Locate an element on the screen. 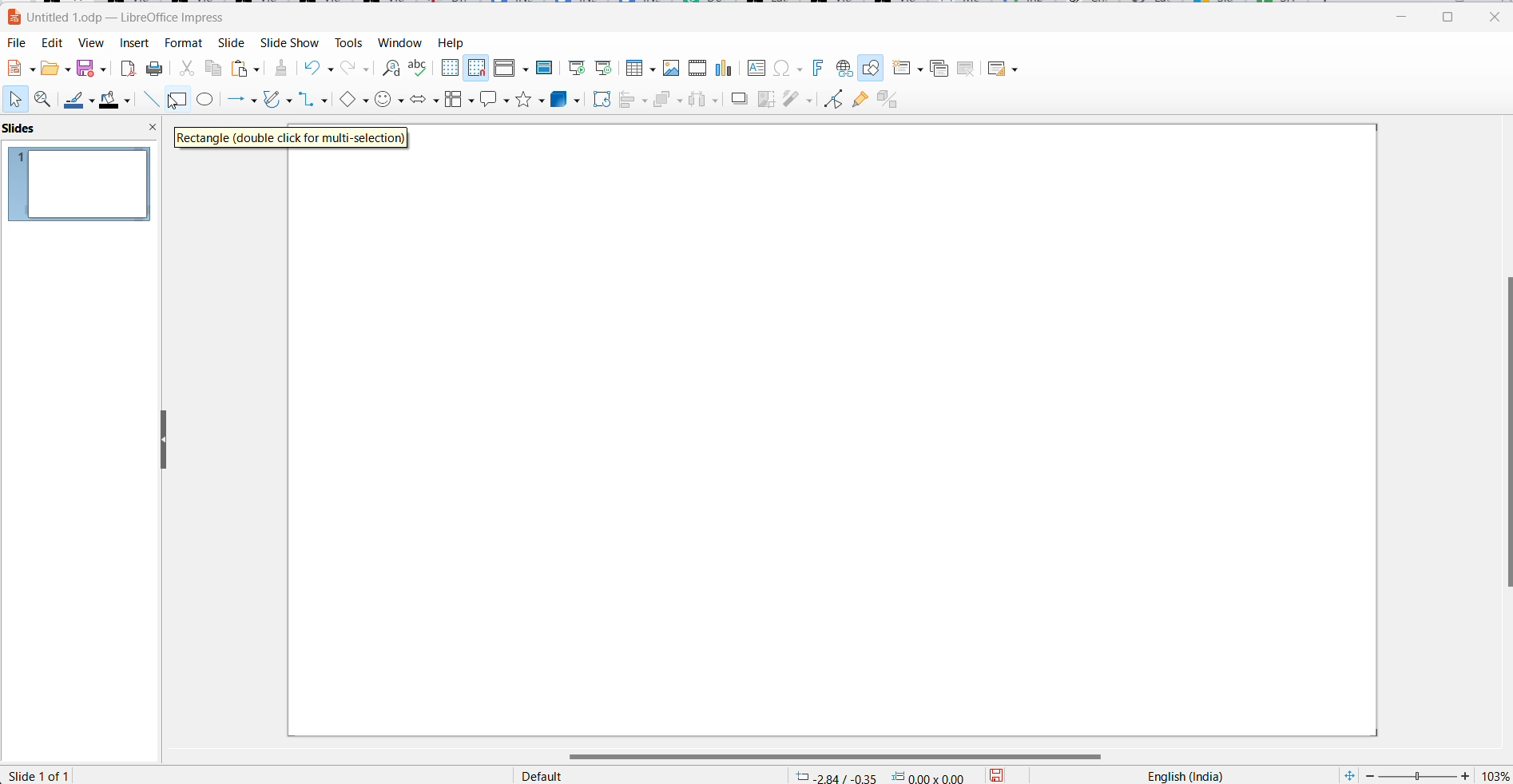  Insert image is located at coordinates (673, 68).